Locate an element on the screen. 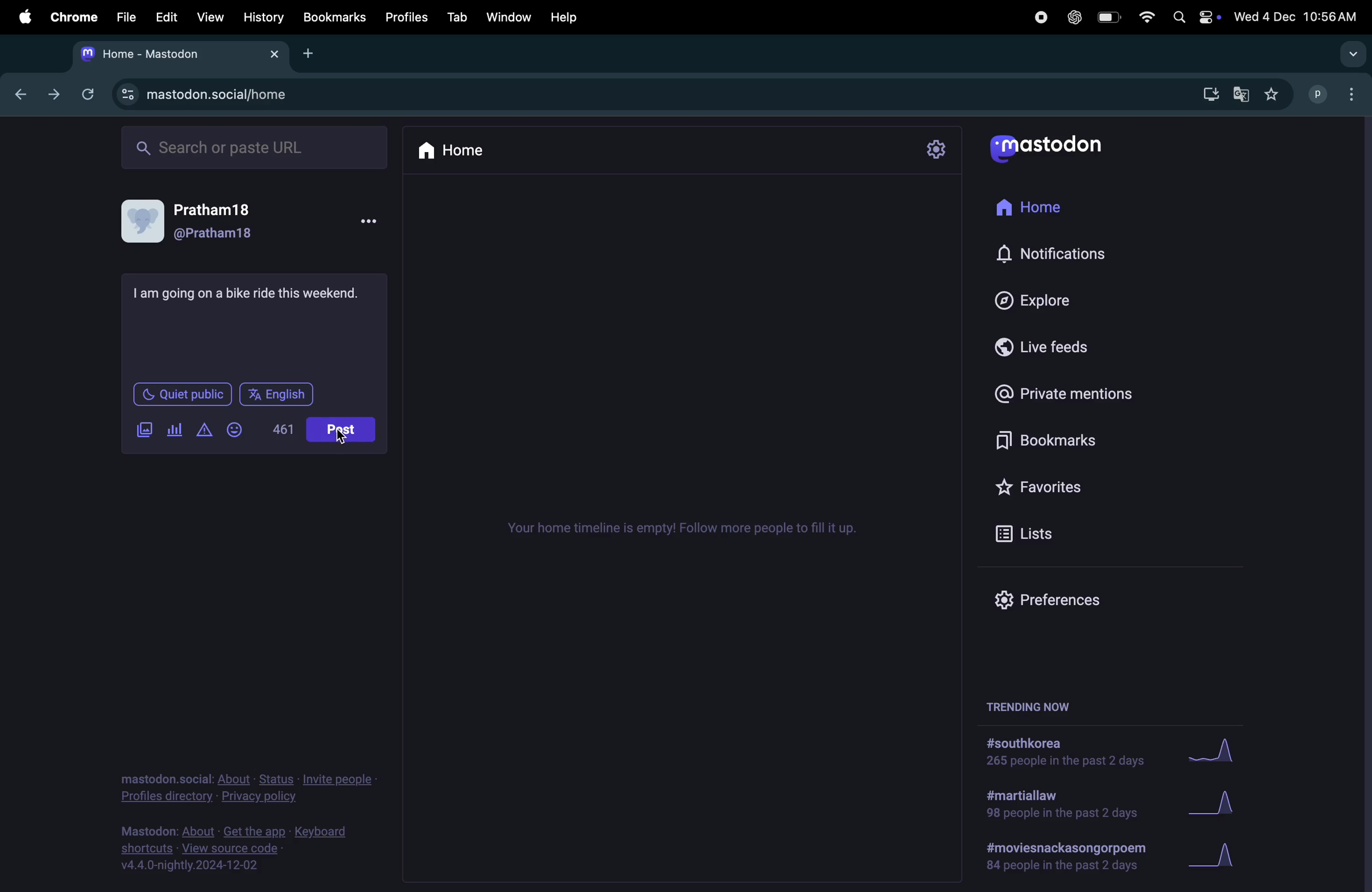  next tab is located at coordinates (59, 97).